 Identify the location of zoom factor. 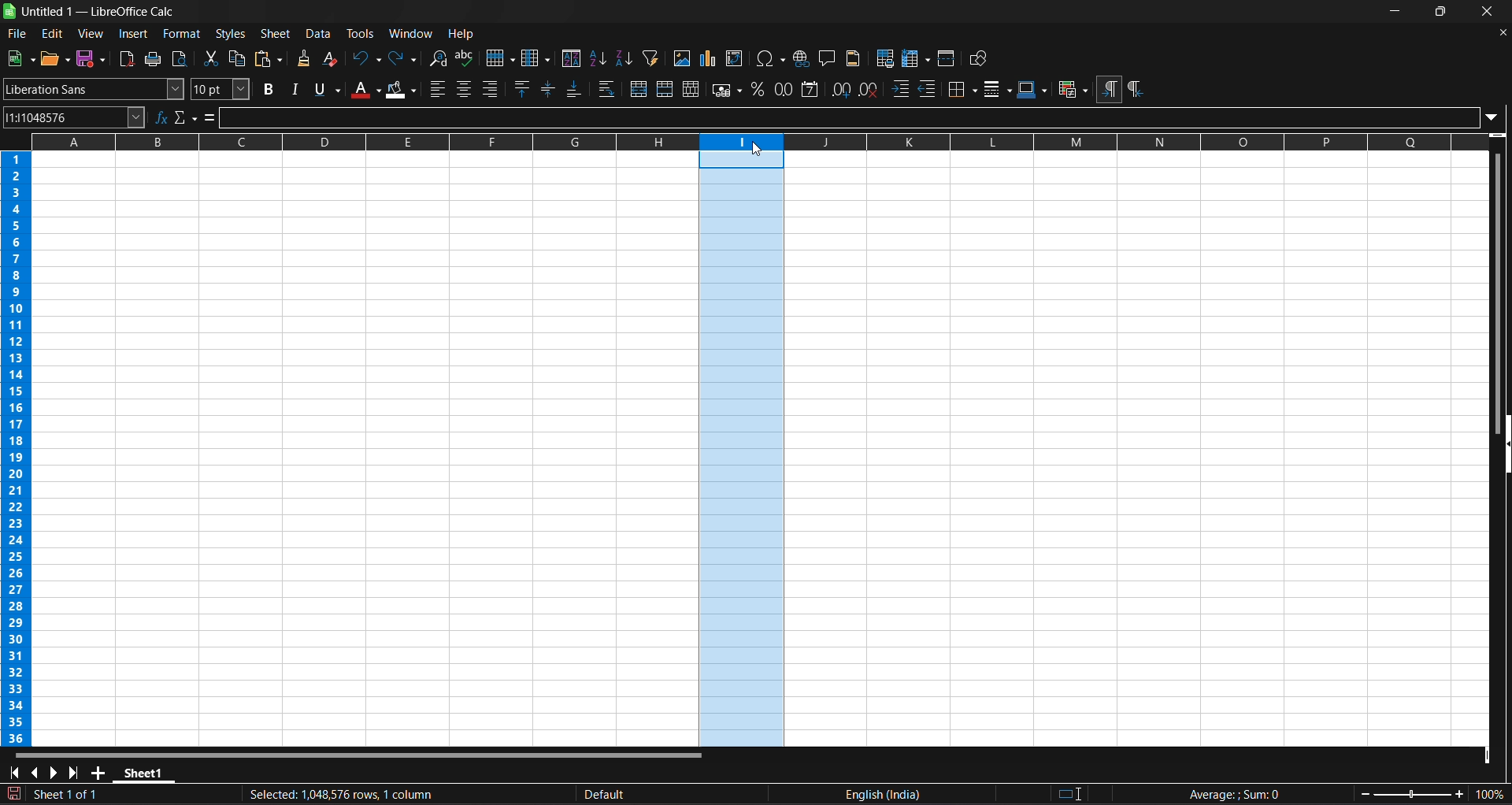
(1427, 793).